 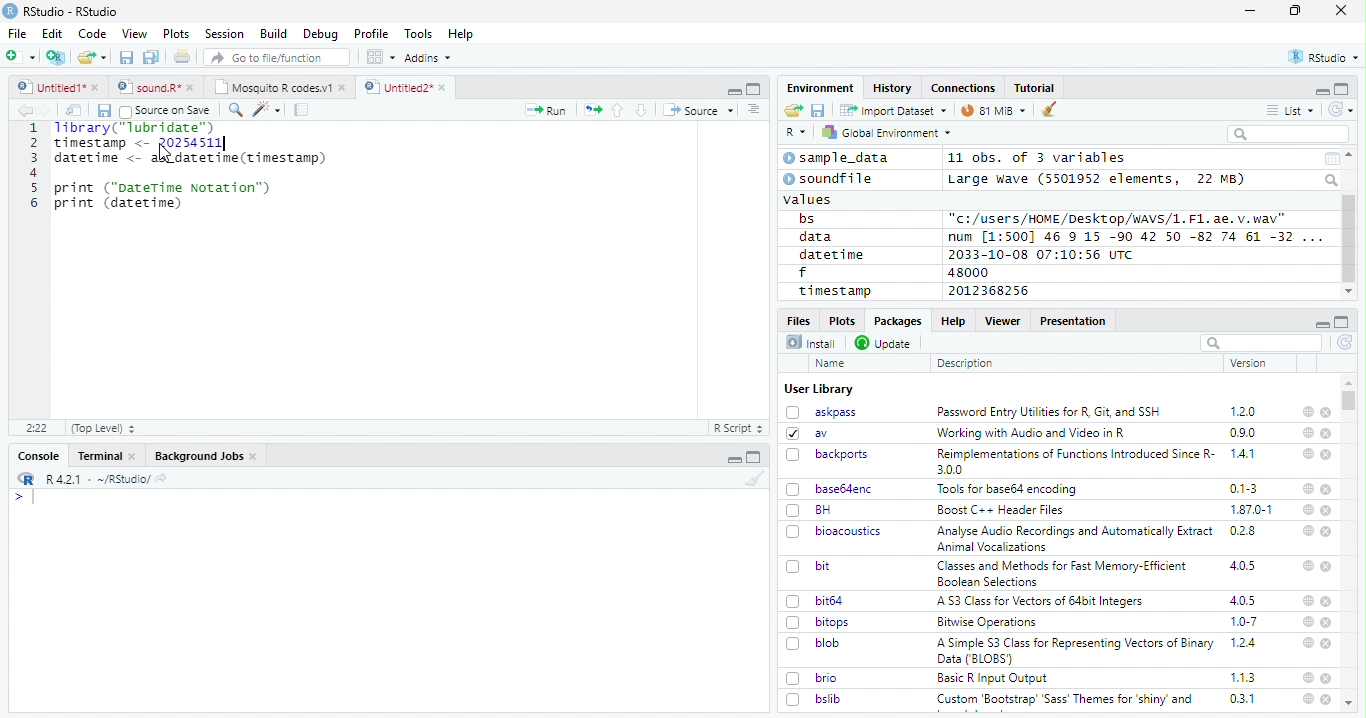 What do you see at coordinates (841, 320) in the screenshot?
I see `Plots` at bounding box center [841, 320].